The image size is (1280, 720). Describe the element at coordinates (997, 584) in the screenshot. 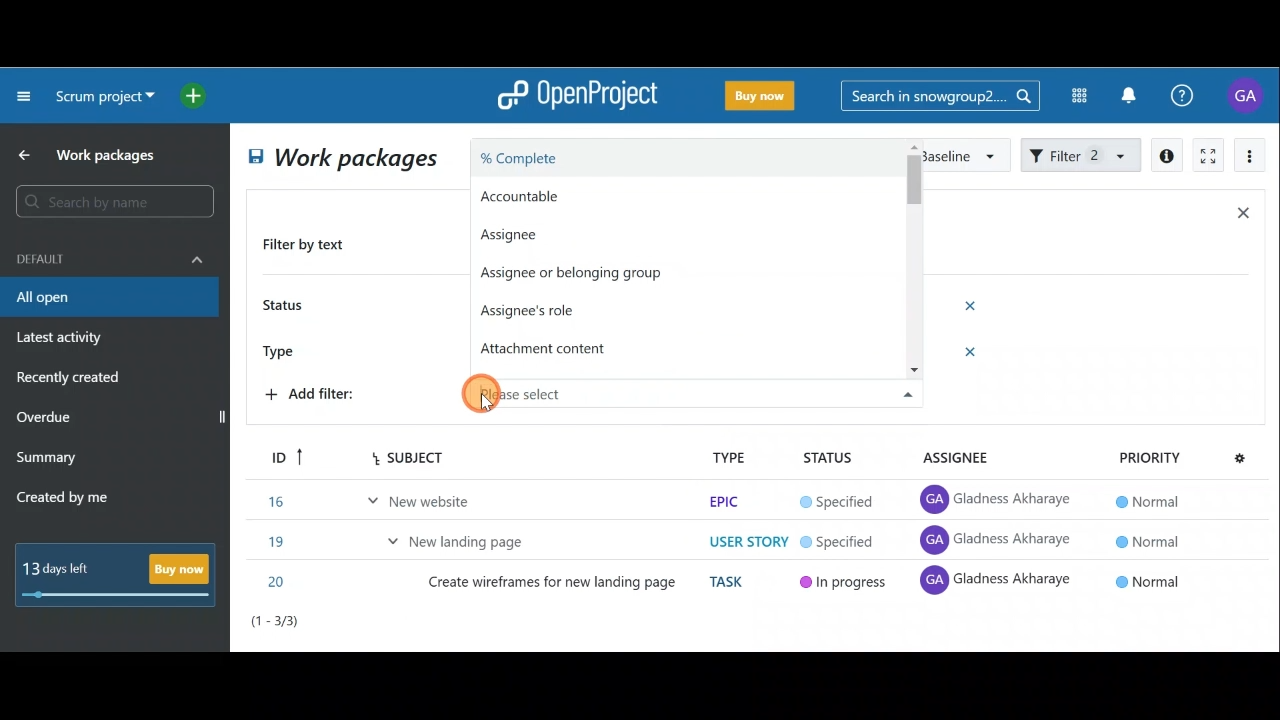

I see `(GA) Gladness Akharaye` at that location.